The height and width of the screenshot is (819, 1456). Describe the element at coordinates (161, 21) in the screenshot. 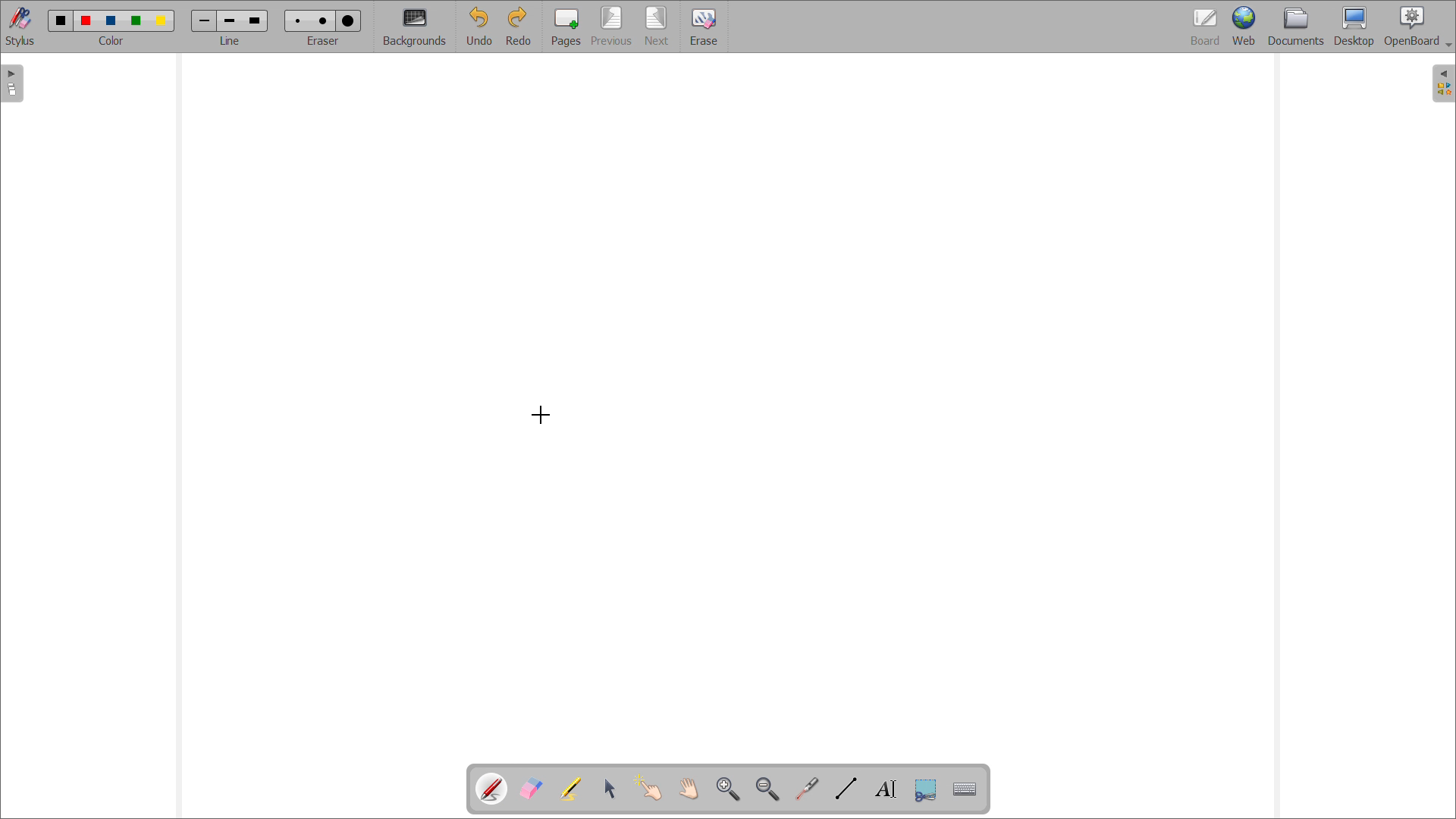

I see `color` at that location.